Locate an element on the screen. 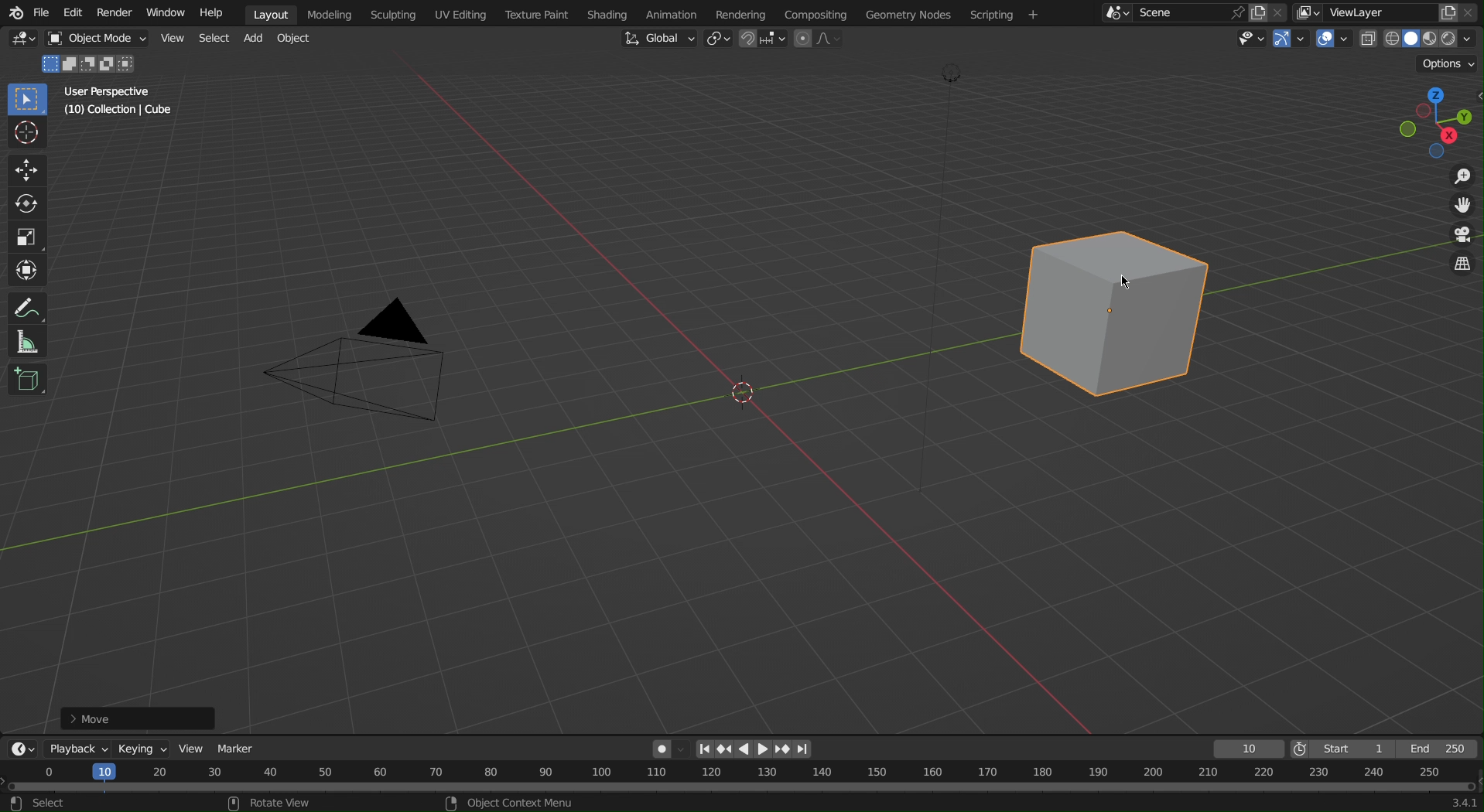 This screenshot has height=812, width=1484. copy is located at coordinates (1263, 11).